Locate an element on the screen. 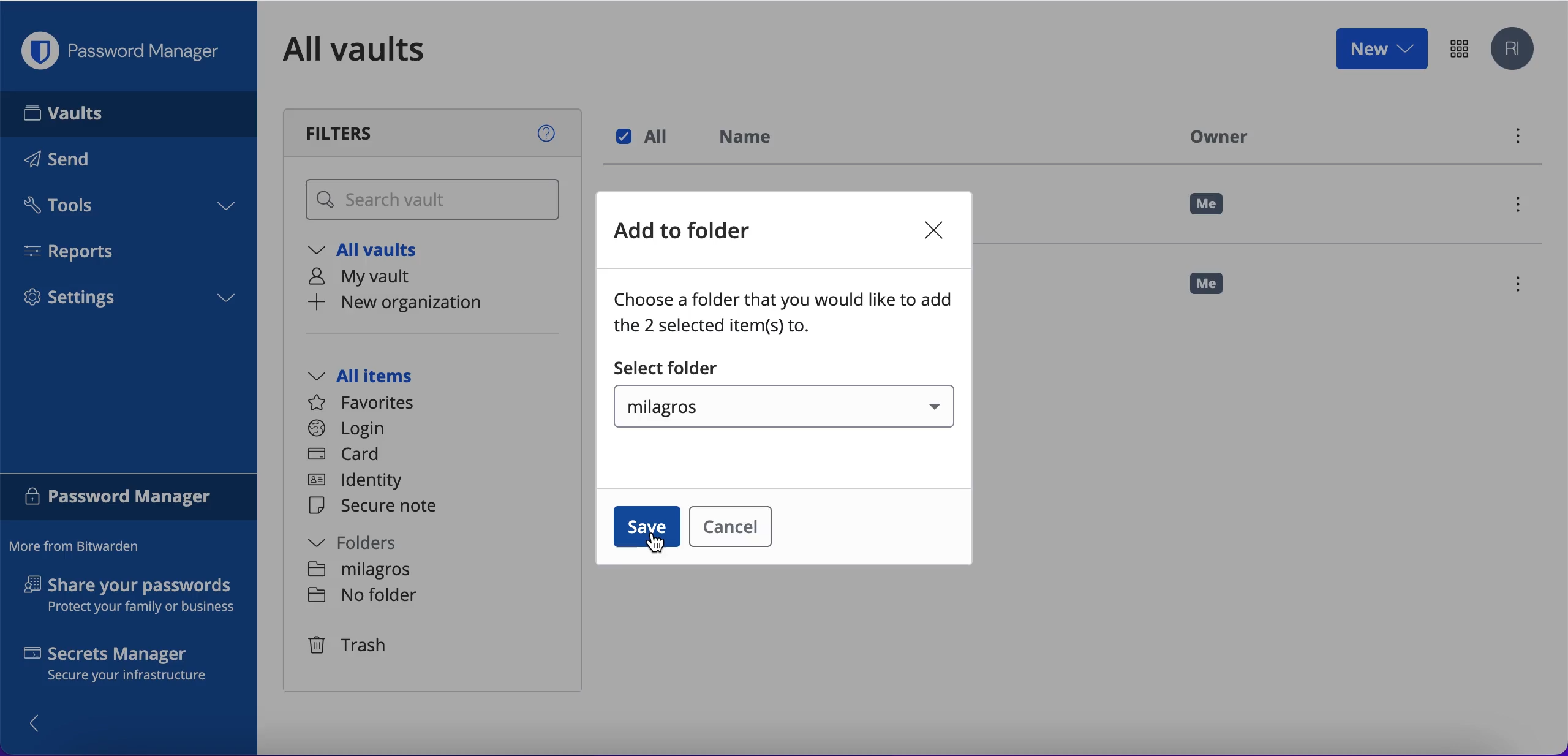  folder selected is located at coordinates (792, 408).